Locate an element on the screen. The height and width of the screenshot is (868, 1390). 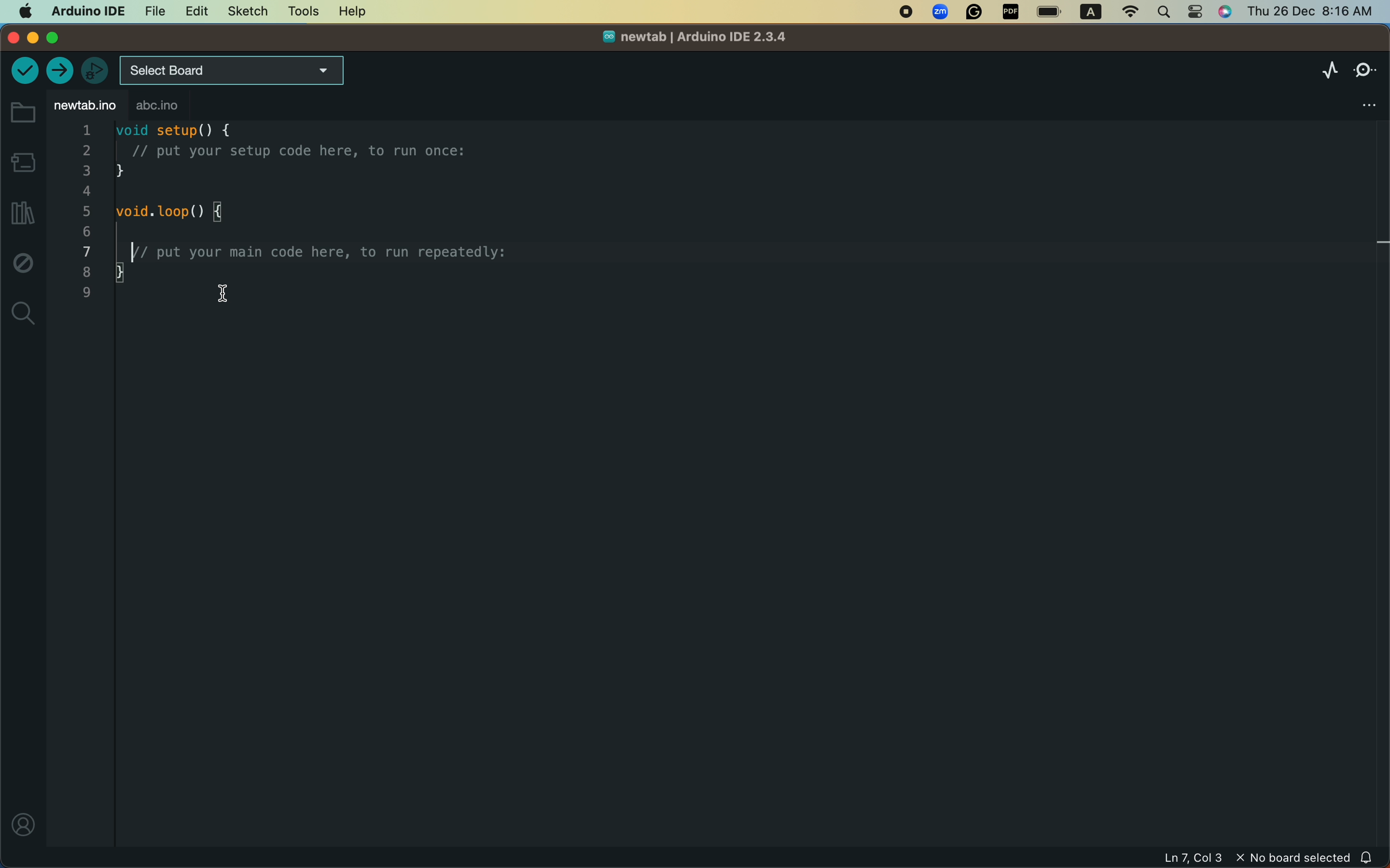
charge is located at coordinates (1050, 12).